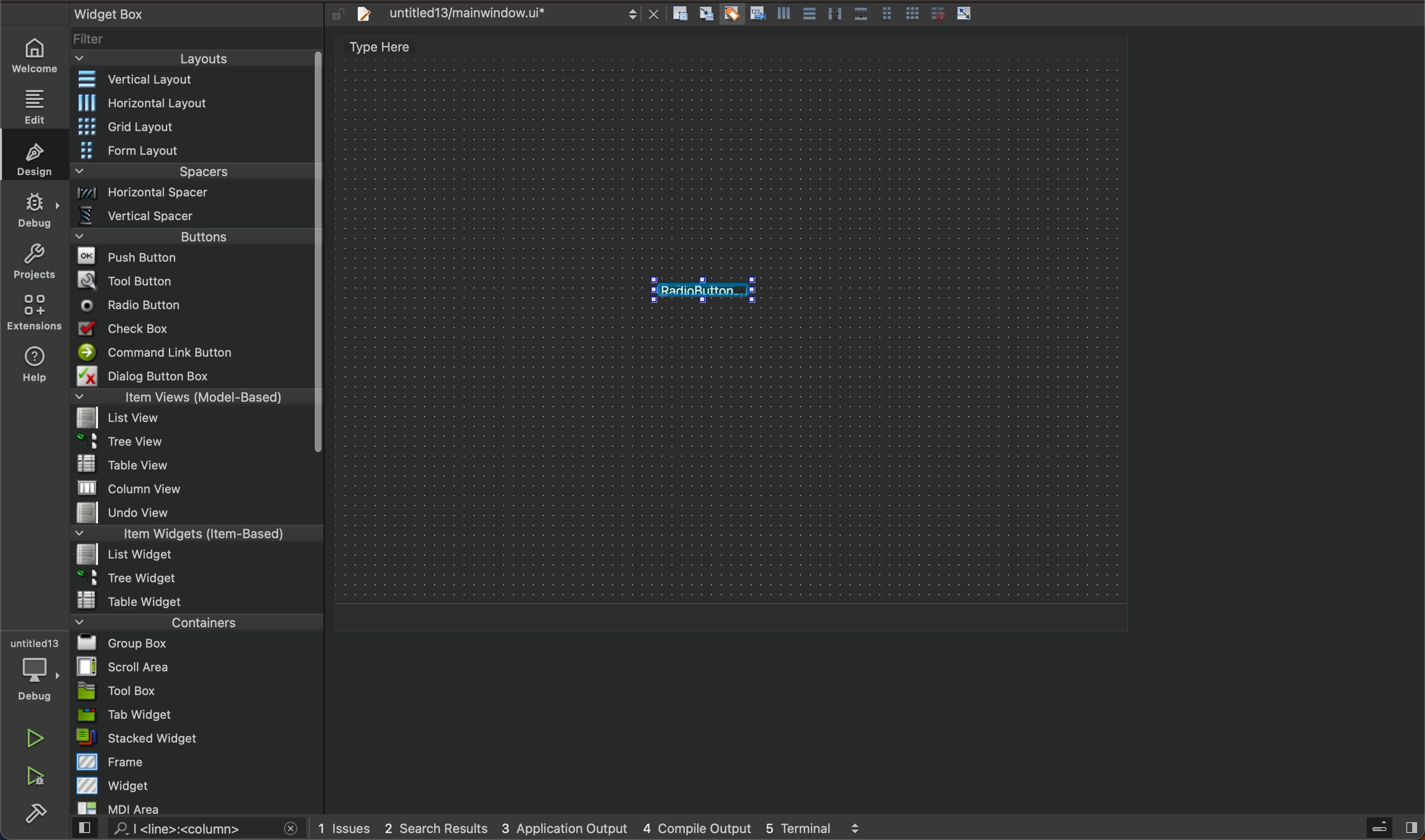 The image size is (1425, 840). What do you see at coordinates (198, 43) in the screenshot?
I see `filter` at bounding box center [198, 43].